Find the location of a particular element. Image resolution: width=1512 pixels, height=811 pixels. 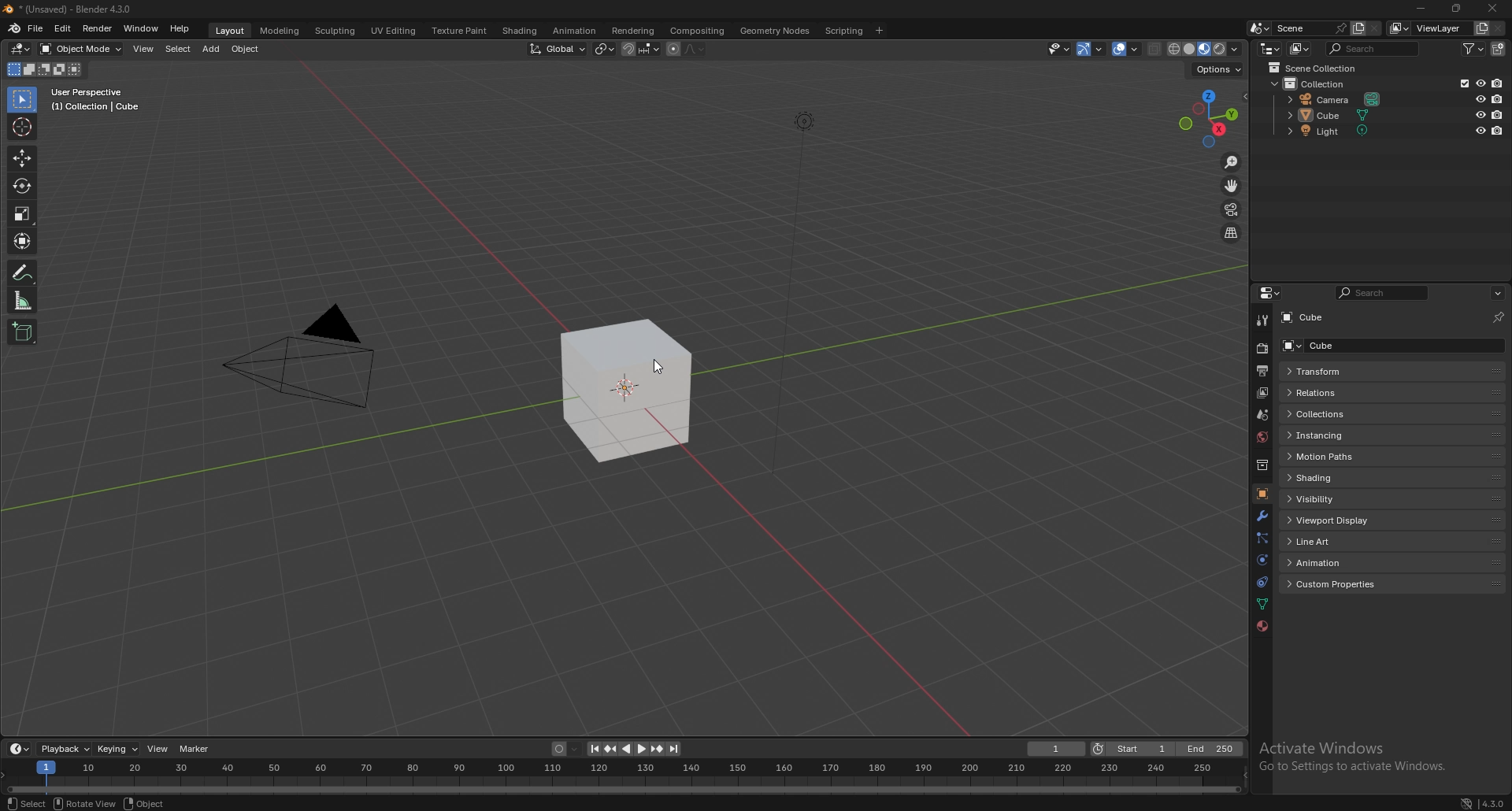

select is located at coordinates (178, 49).